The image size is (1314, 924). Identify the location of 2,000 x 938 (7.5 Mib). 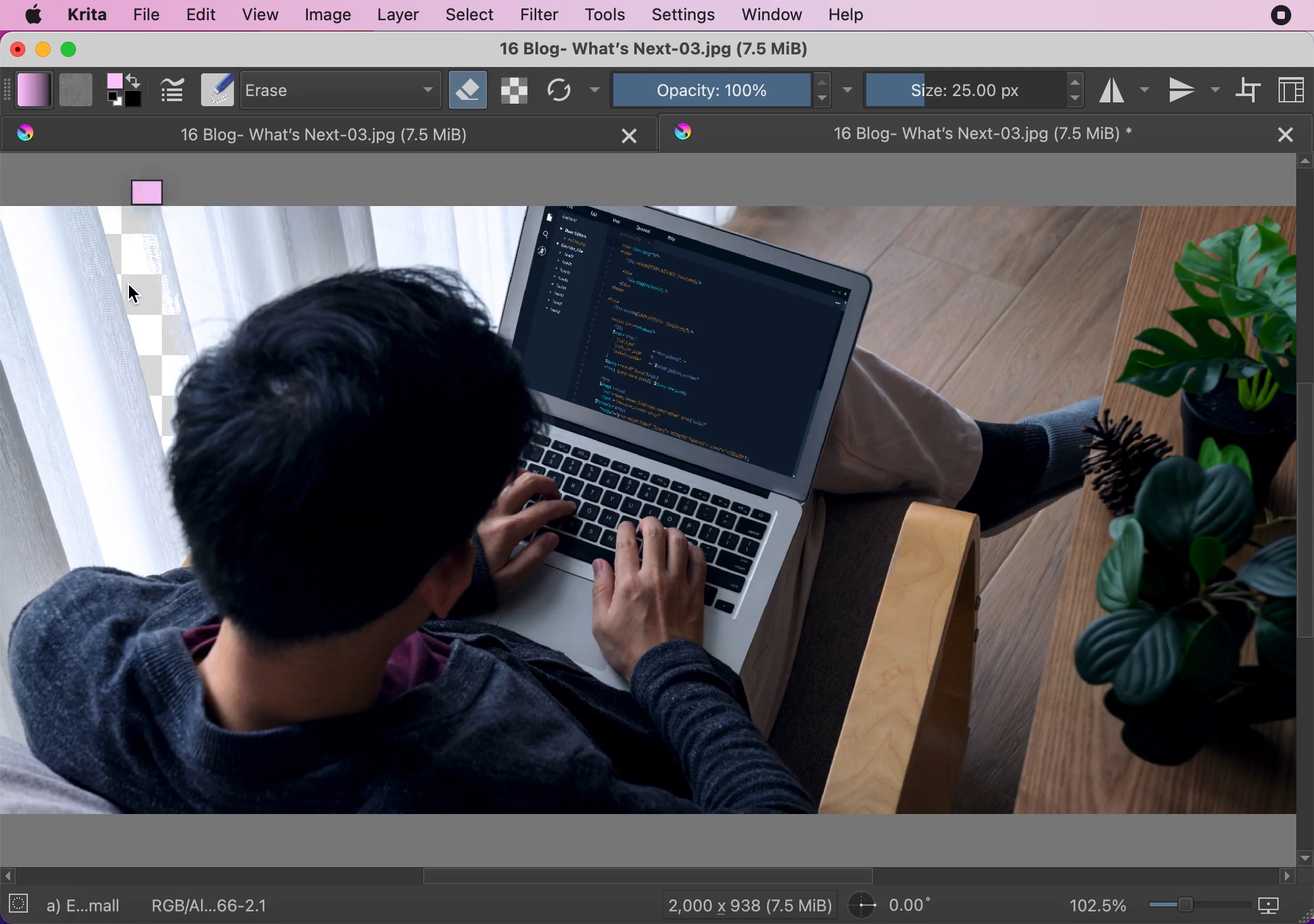
(743, 905).